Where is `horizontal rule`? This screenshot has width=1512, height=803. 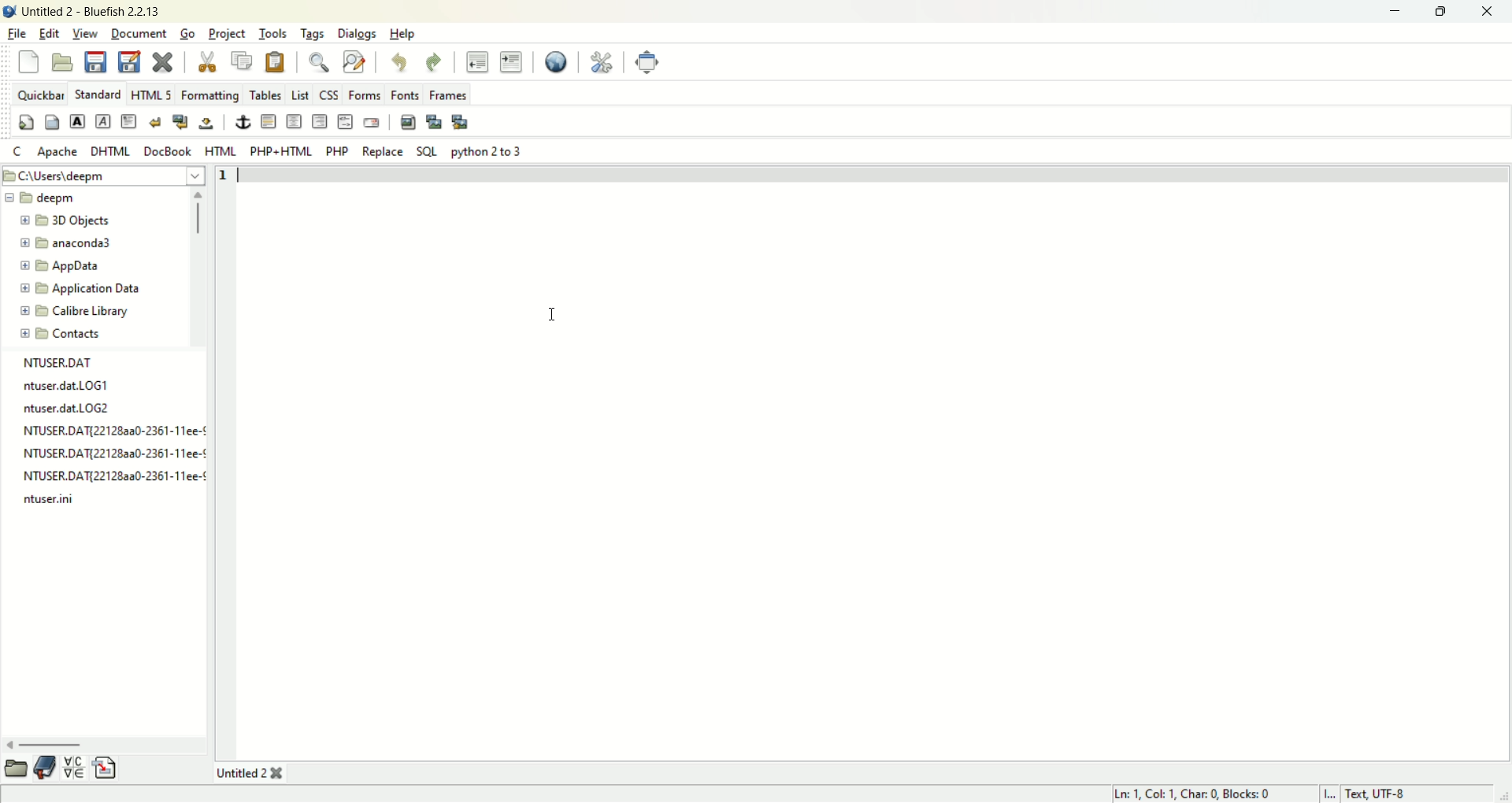 horizontal rule is located at coordinates (269, 121).